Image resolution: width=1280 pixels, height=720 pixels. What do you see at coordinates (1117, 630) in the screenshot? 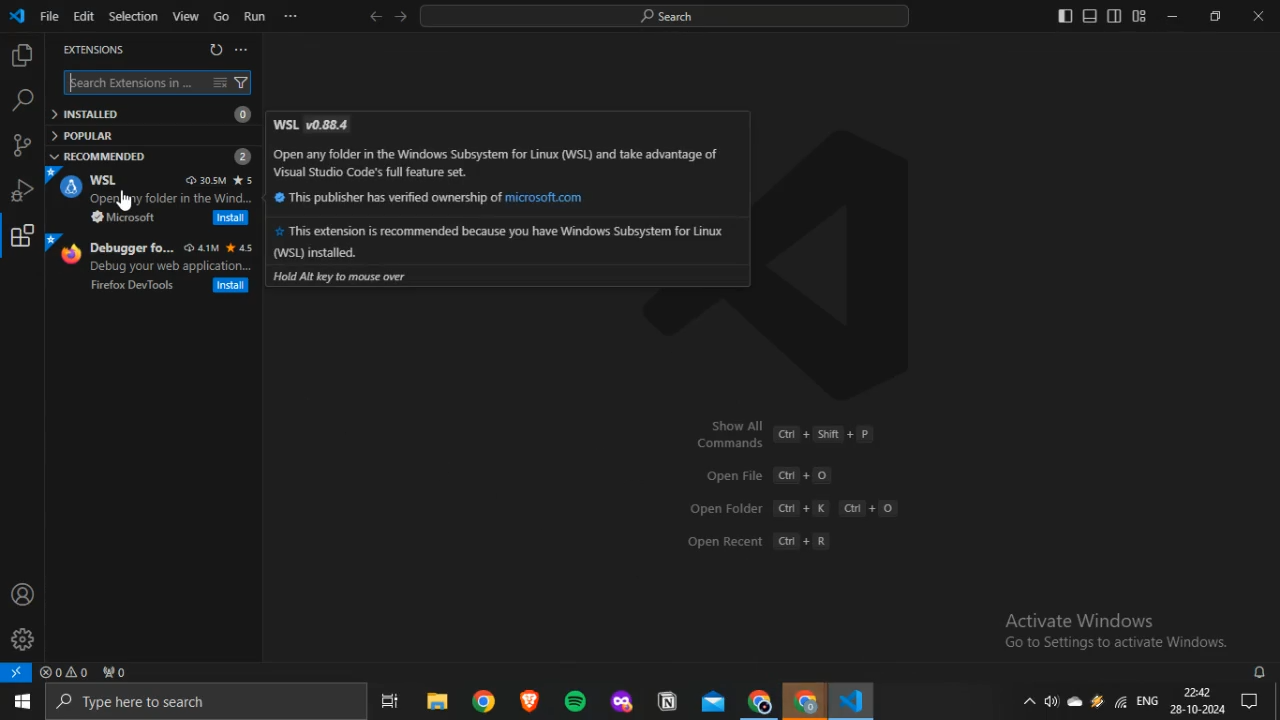
I see `Activate Windows Go to Settings to activate Windows.` at bounding box center [1117, 630].